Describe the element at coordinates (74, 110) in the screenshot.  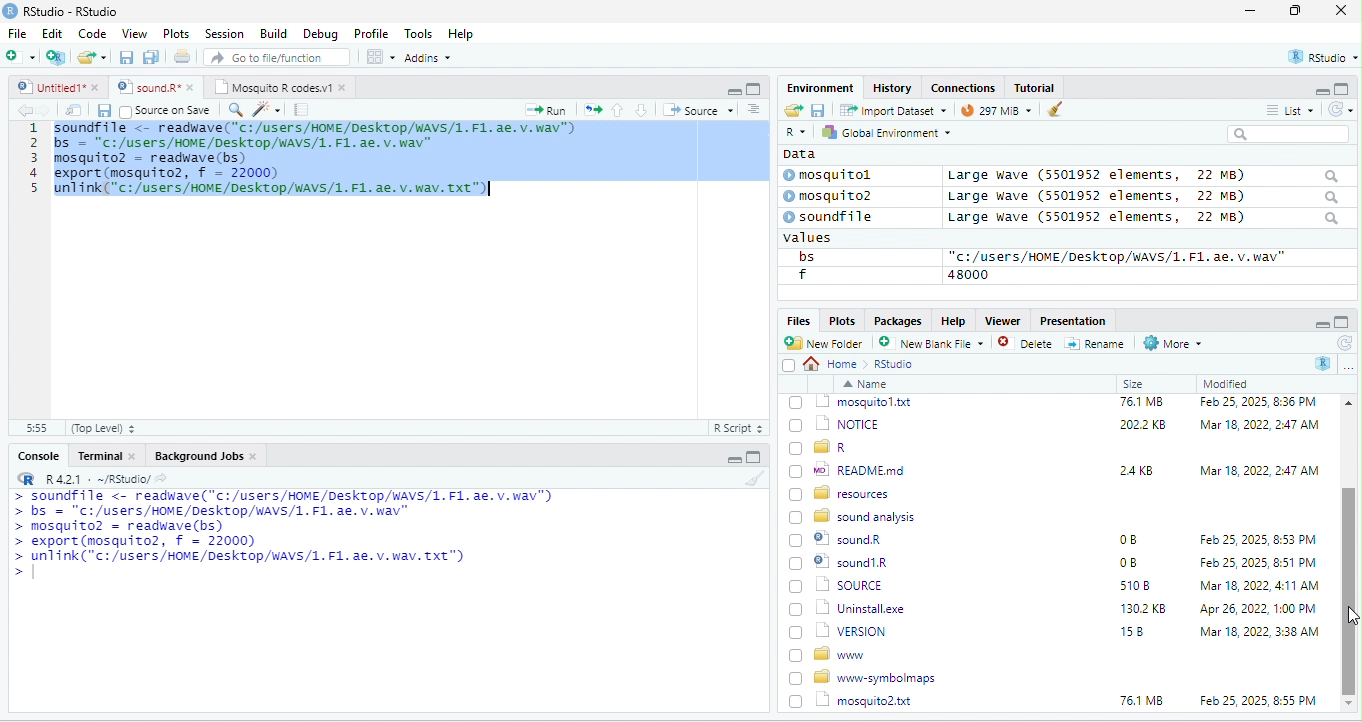
I see `open` at that location.